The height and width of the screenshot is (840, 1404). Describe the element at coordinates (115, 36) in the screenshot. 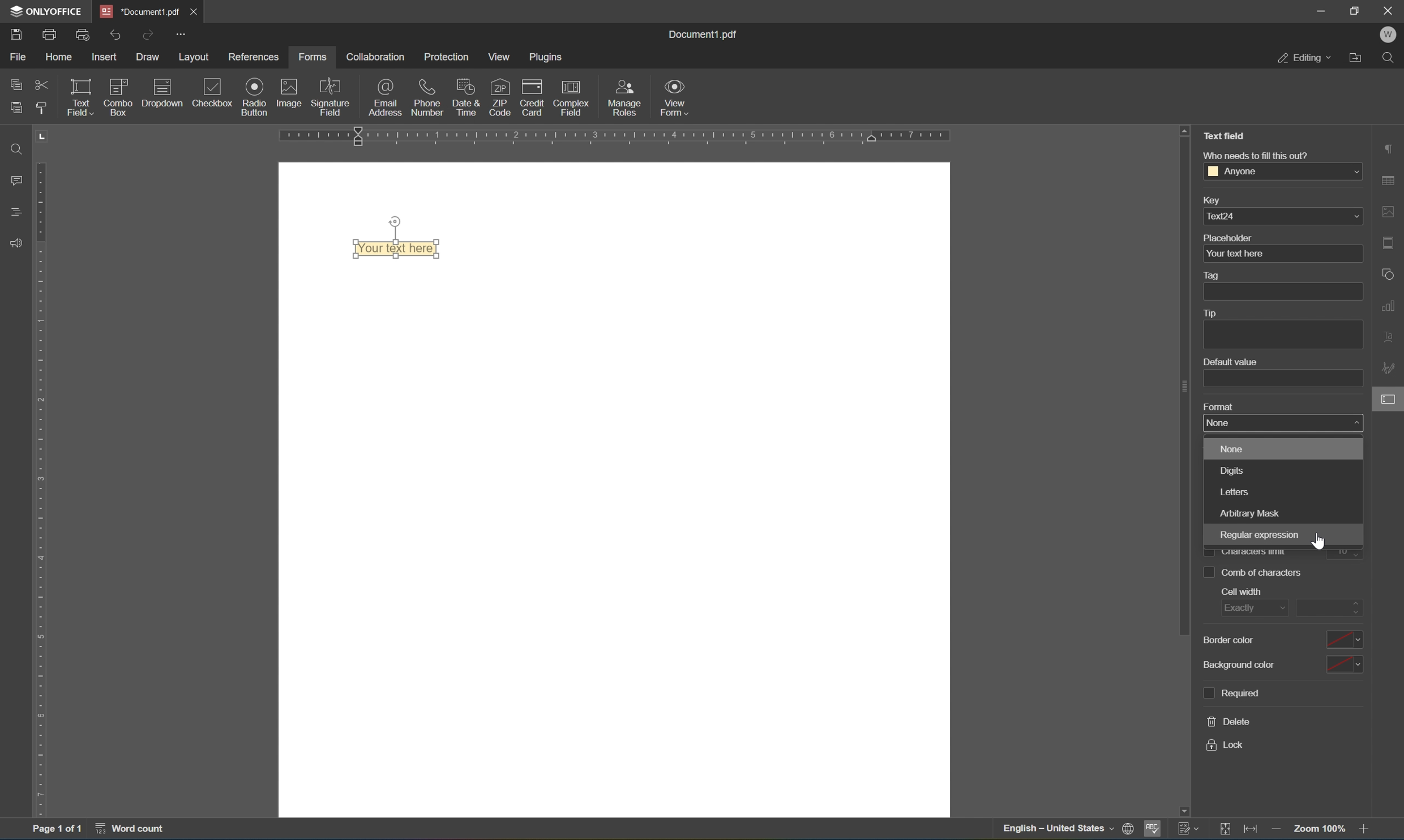

I see `undo` at that location.